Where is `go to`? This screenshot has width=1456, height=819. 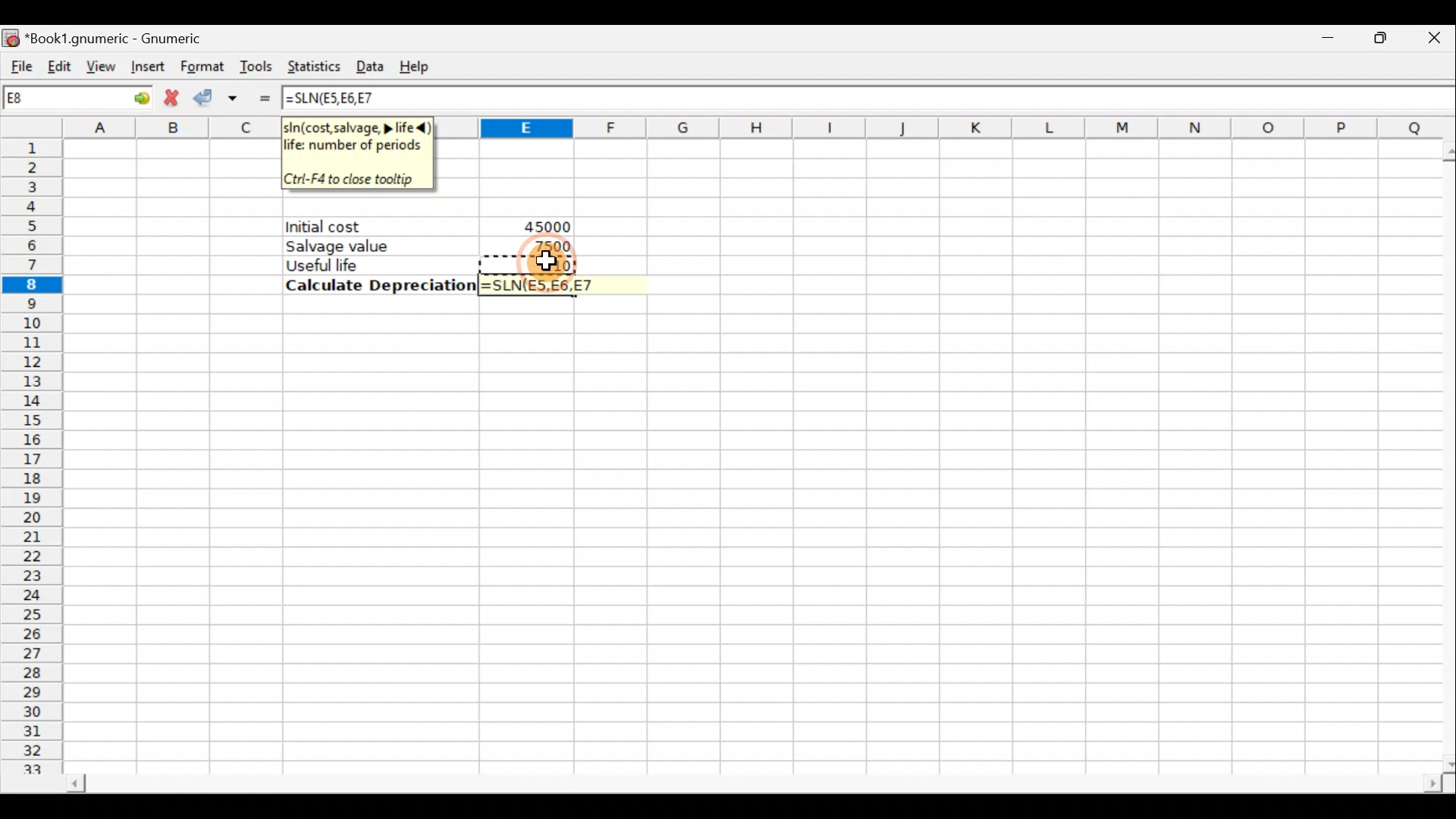 go to is located at coordinates (132, 98).